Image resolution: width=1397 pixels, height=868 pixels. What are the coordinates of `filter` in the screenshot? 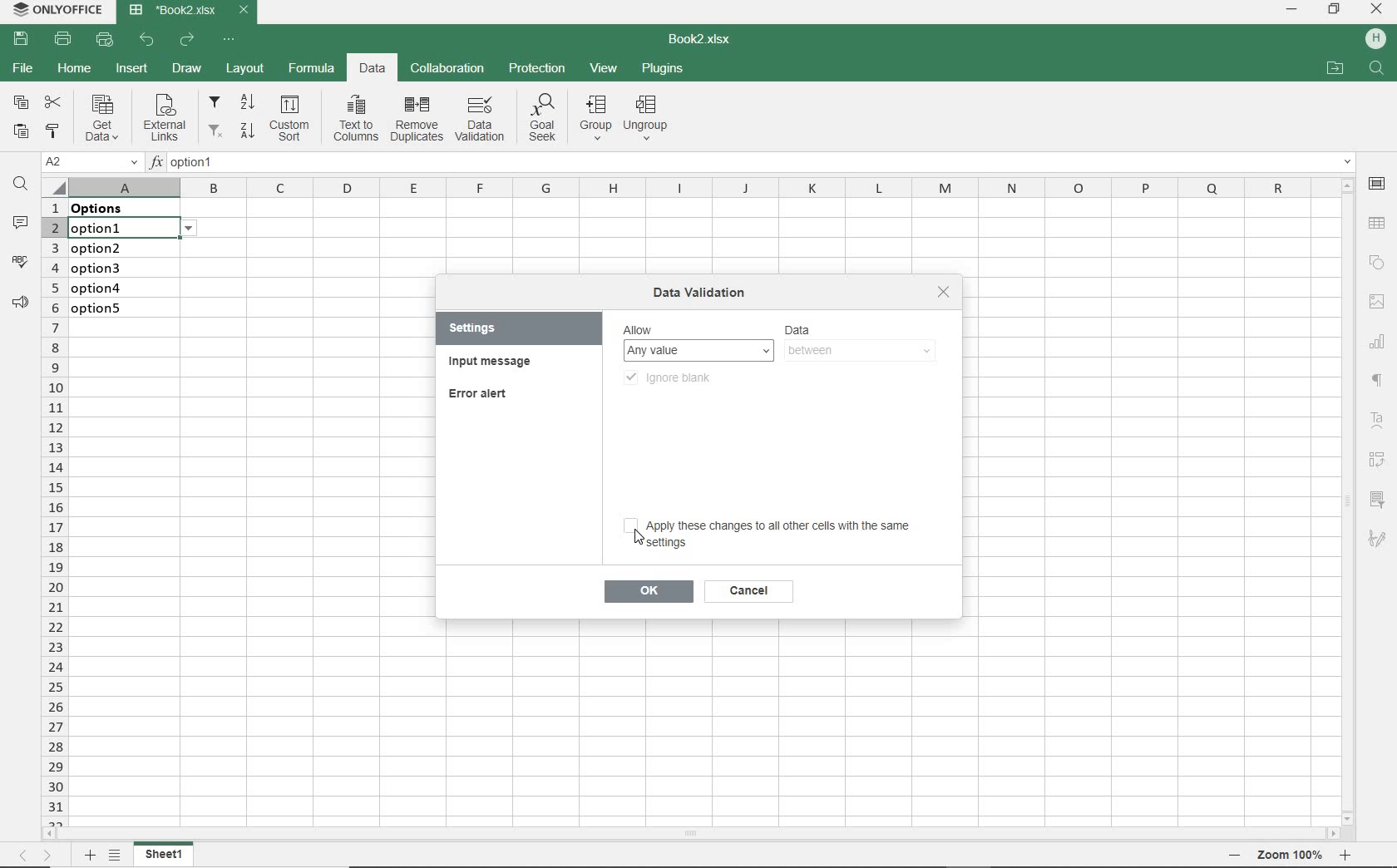 It's located at (1380, 496).